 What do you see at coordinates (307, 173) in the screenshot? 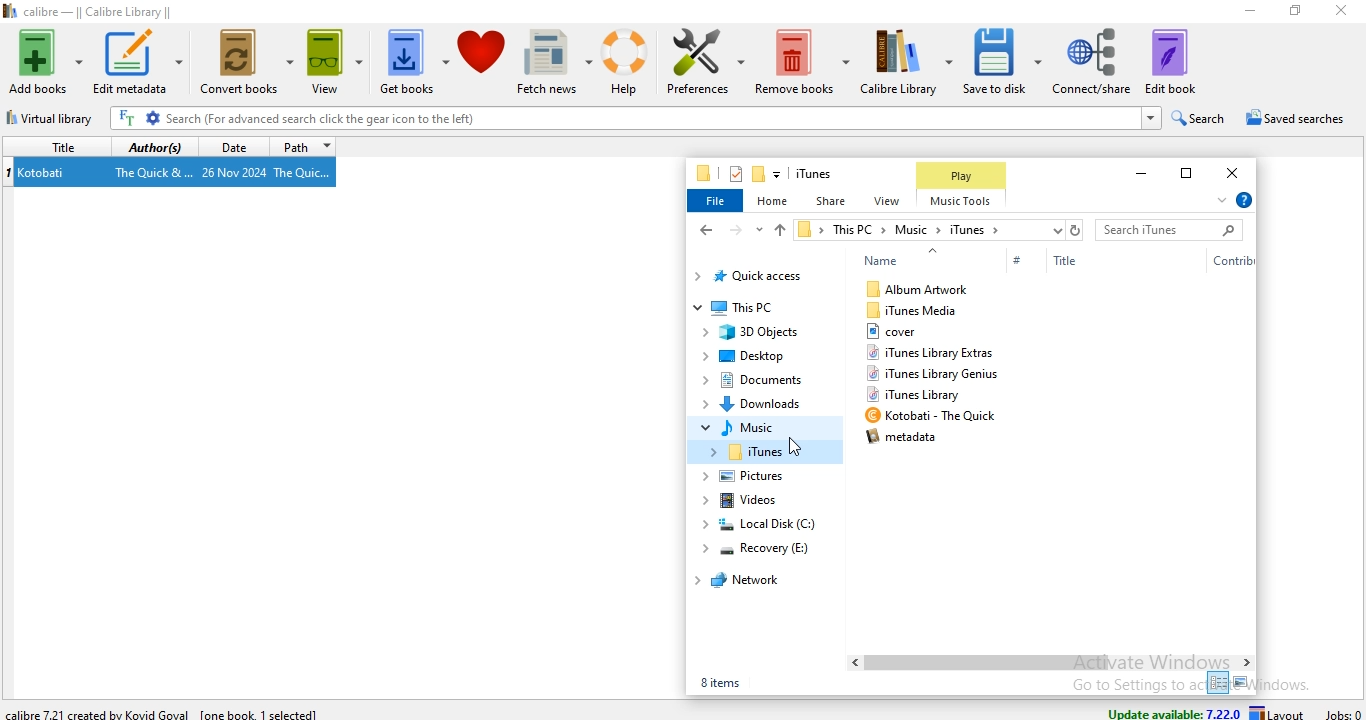
I see `The Quic...` at bounding box center [307, 173].